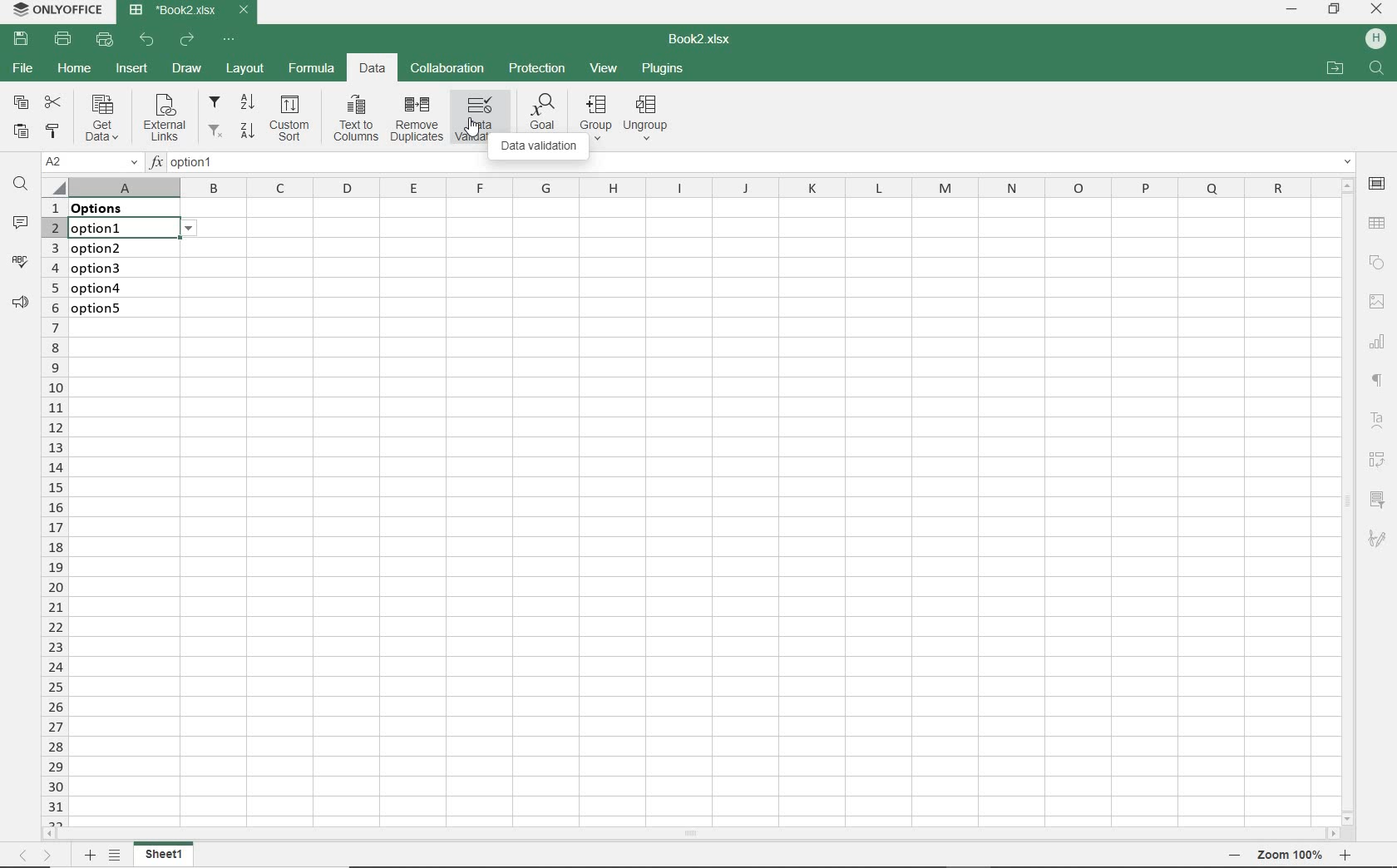  What do you see at coordinates (649, 118) in the screenshot?
I see `Ungroup` at bounding box center [649, 118].